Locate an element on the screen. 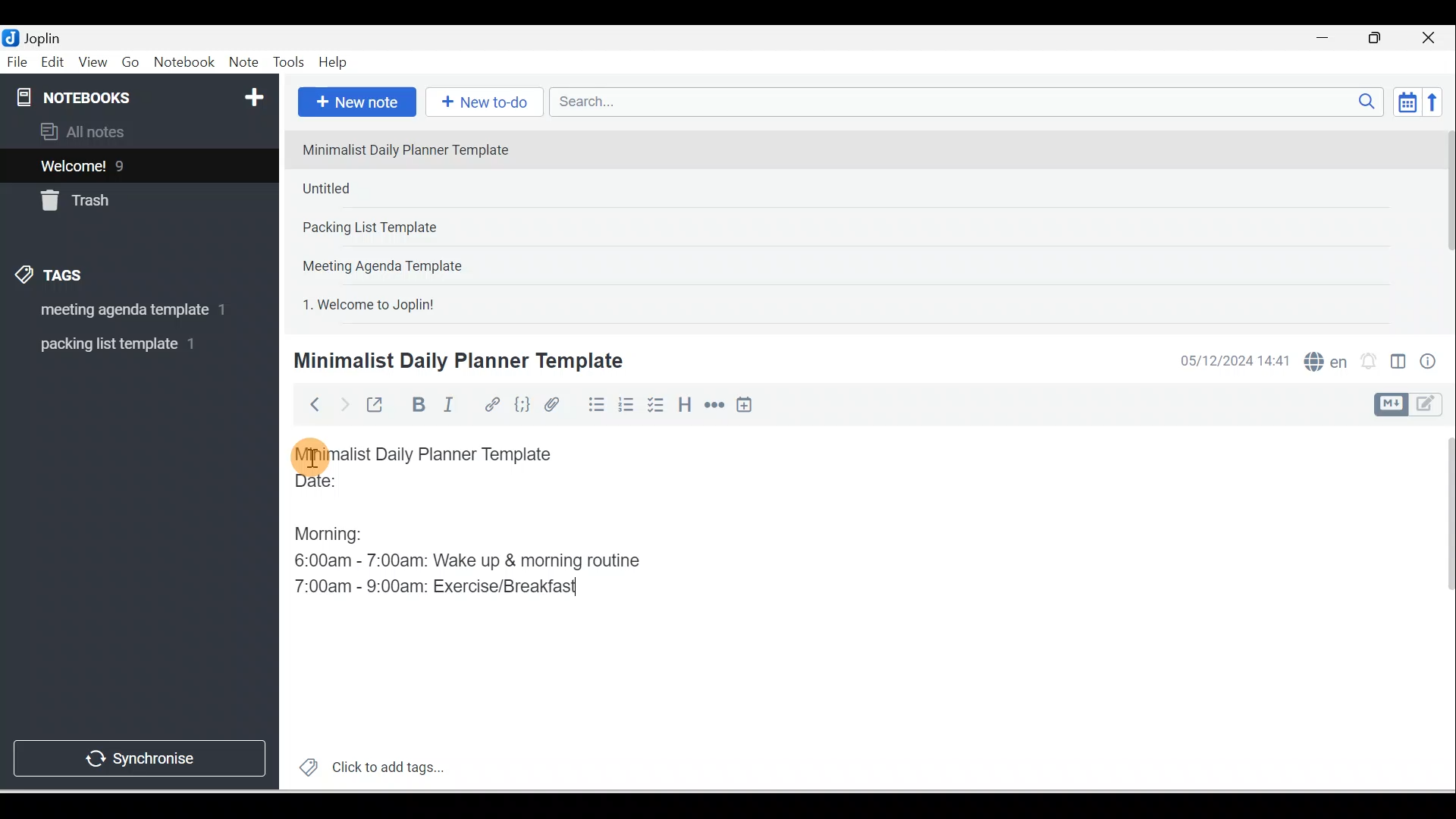 The image size is (1456, 819). Minimalist Daily Planner Template is located at coordinates (438, 454).